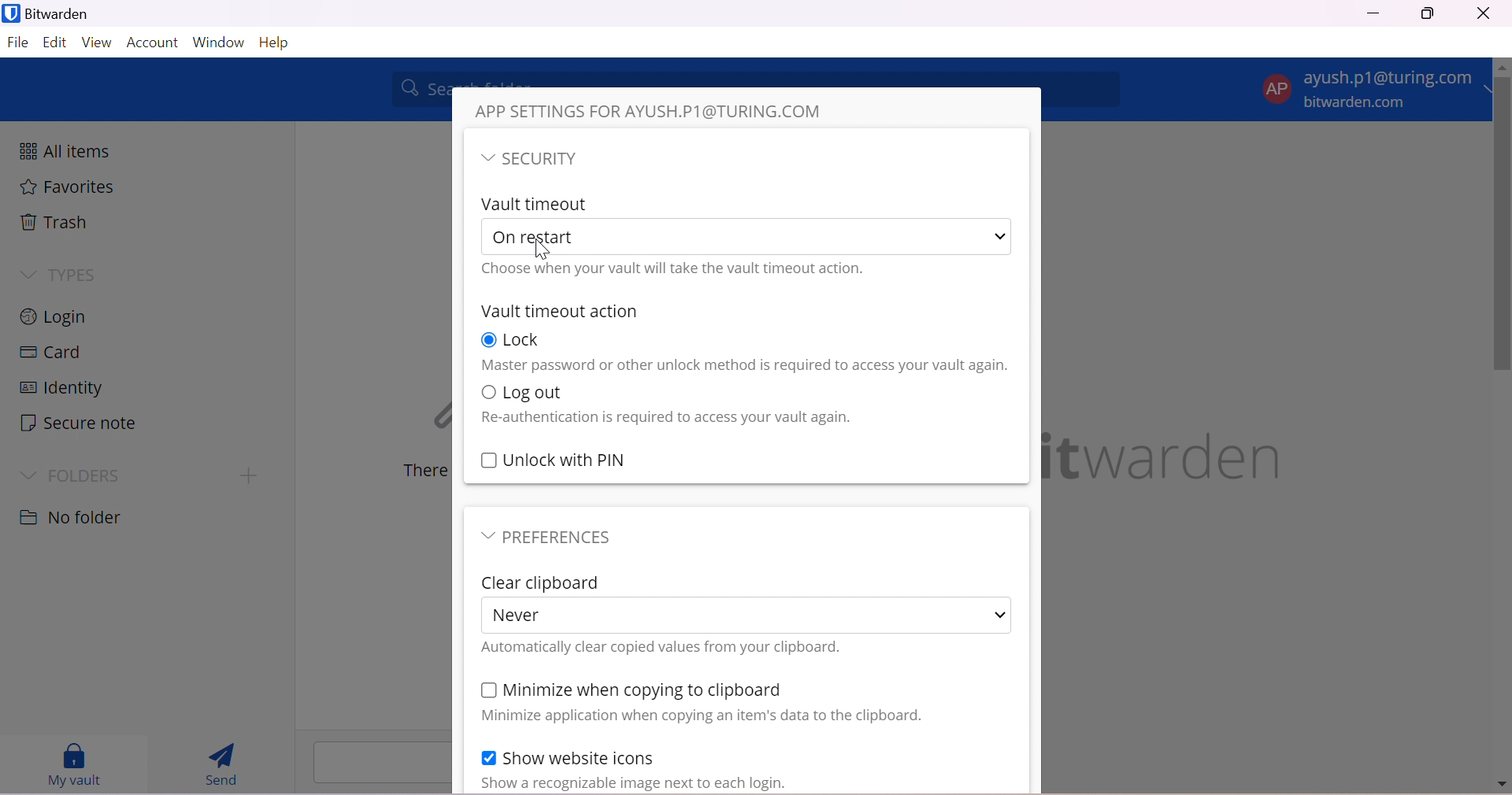  I want to click on account options, so click(1371, 87).